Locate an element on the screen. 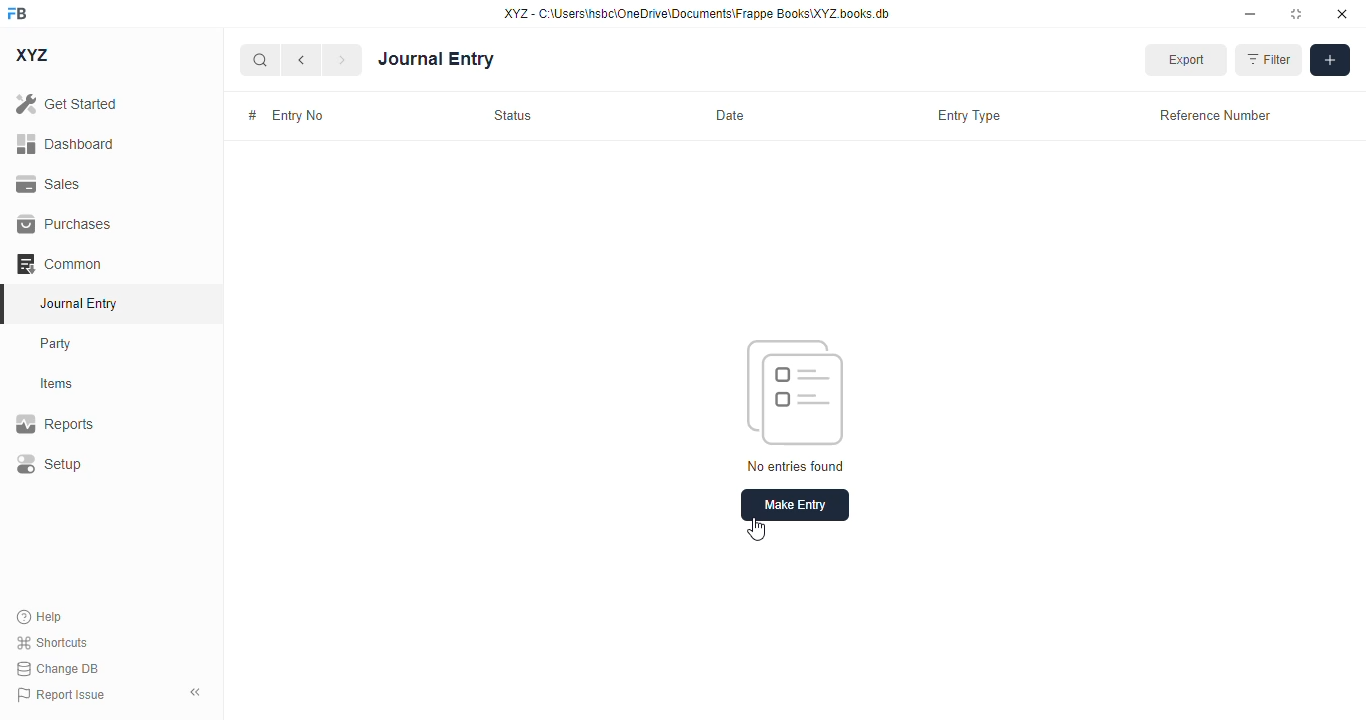 Image resolution: width=1366 pixels, height=720 pixels. entry No is located at coordinates (301, 115).